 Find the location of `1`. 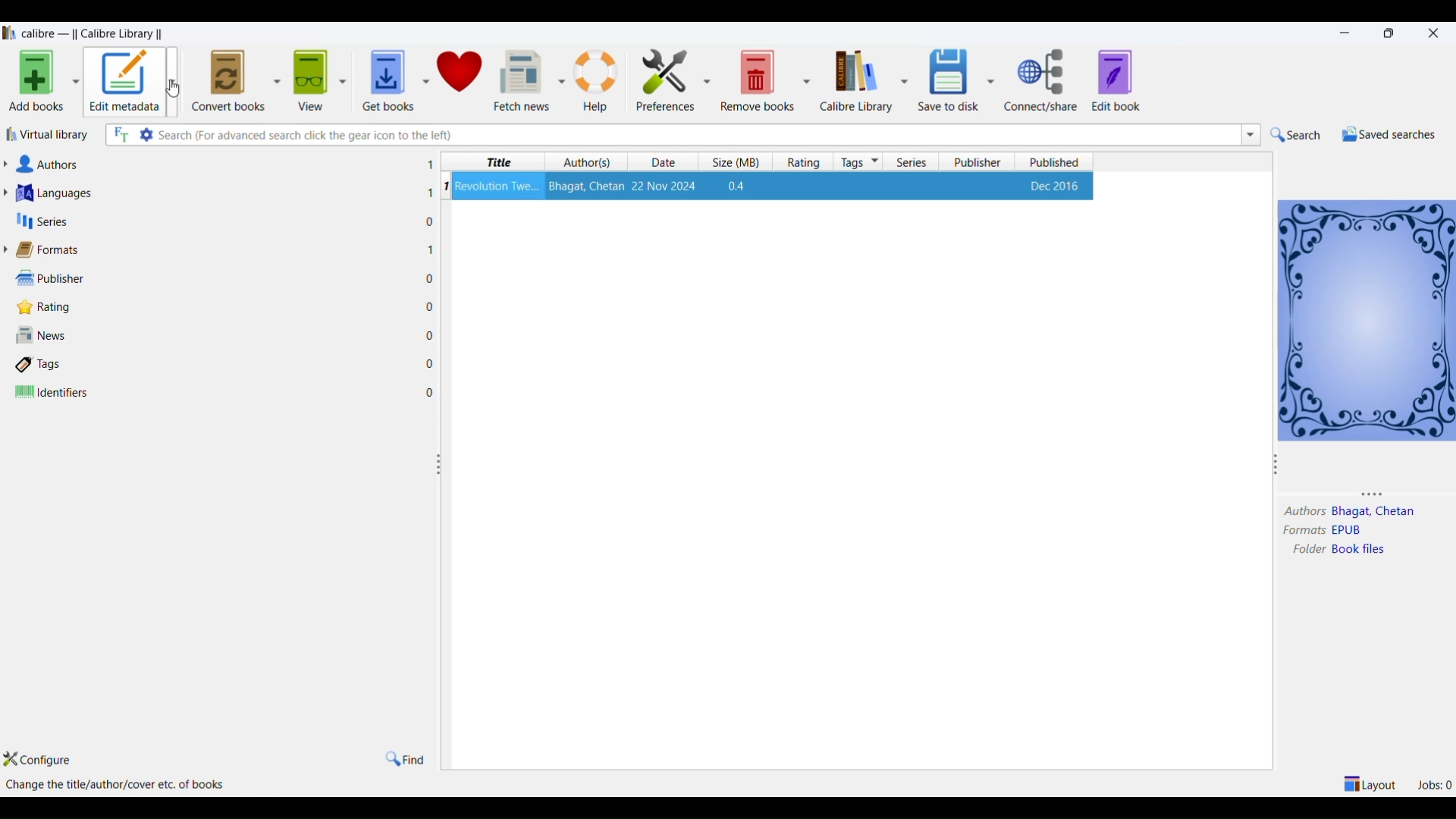

1 is located at coordinates (429, 193).